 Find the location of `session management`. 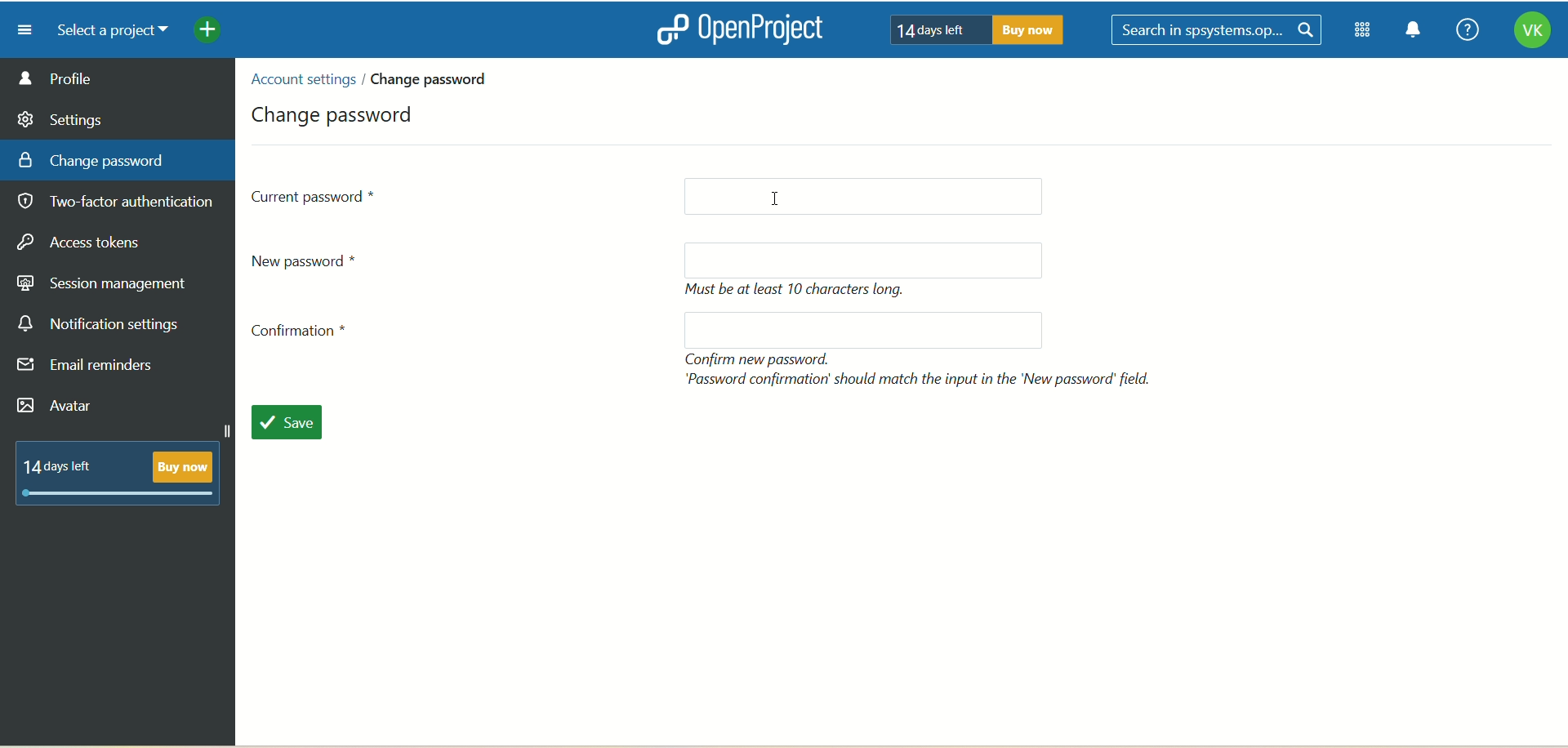

session management is located at coordinates (104, 281).